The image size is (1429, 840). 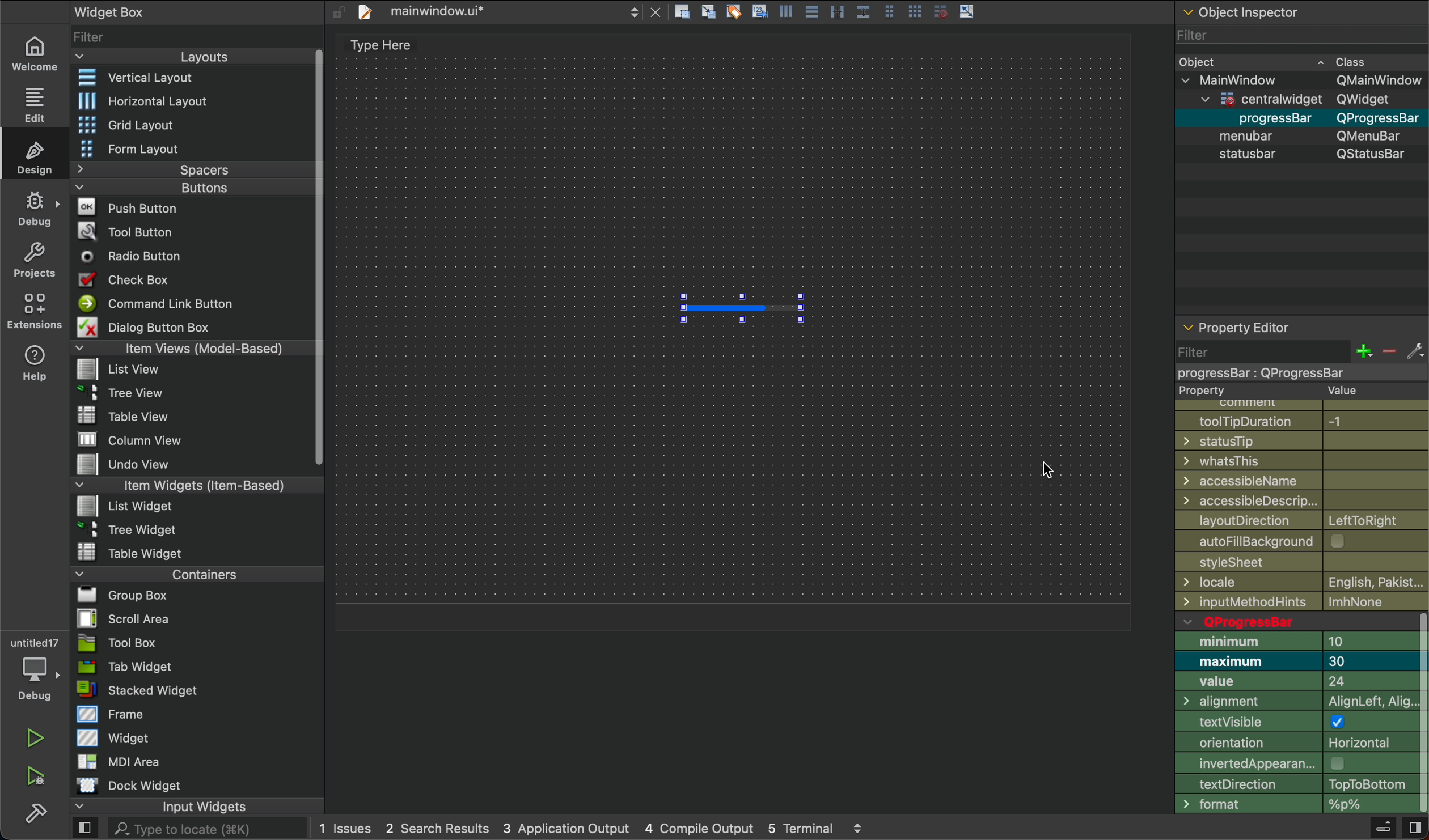 I want to click on Accessible design, so click(x=1302, y=500).